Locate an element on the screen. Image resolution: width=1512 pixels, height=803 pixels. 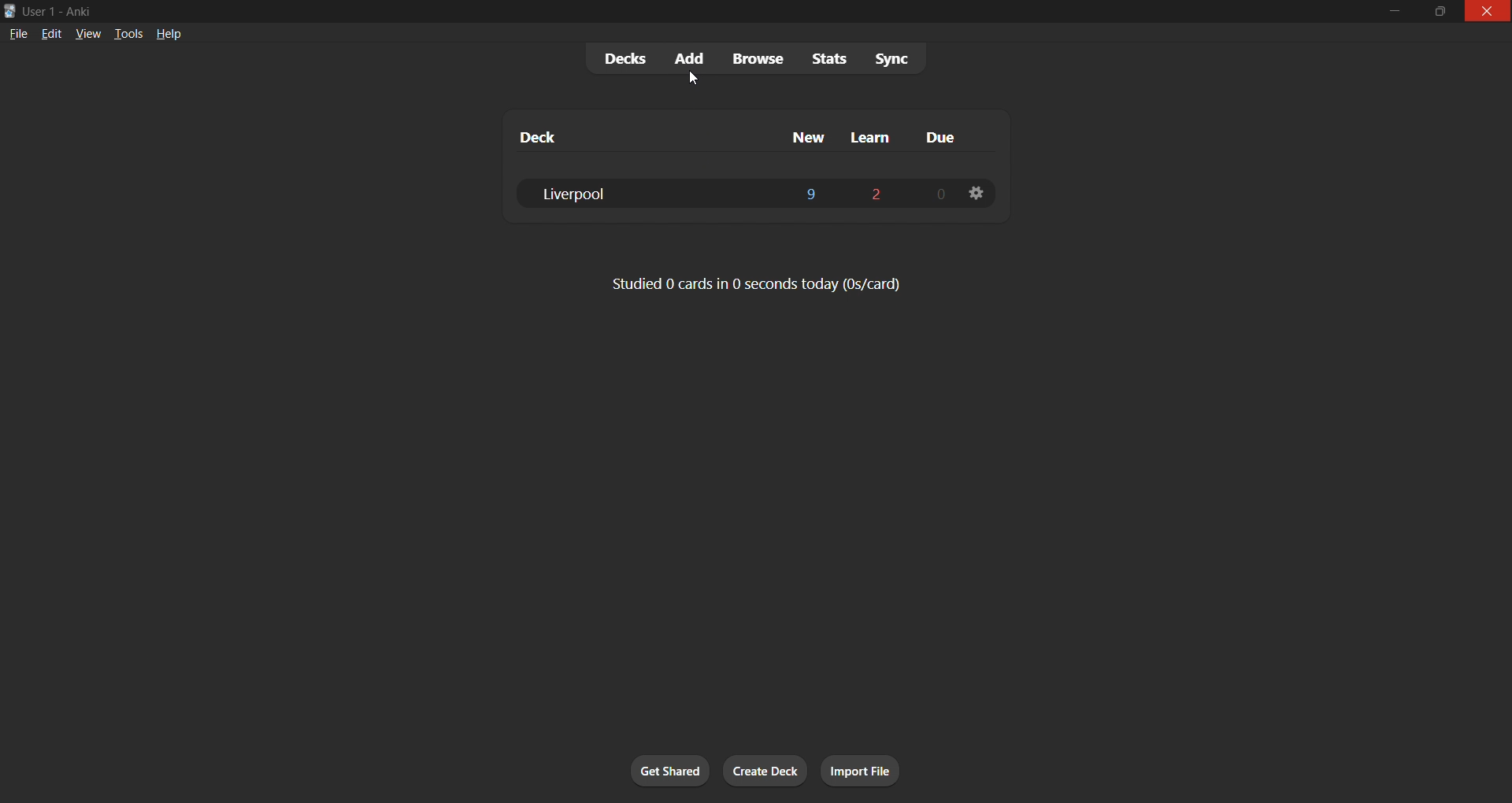
liverpool is located at coordinates (576, 192).